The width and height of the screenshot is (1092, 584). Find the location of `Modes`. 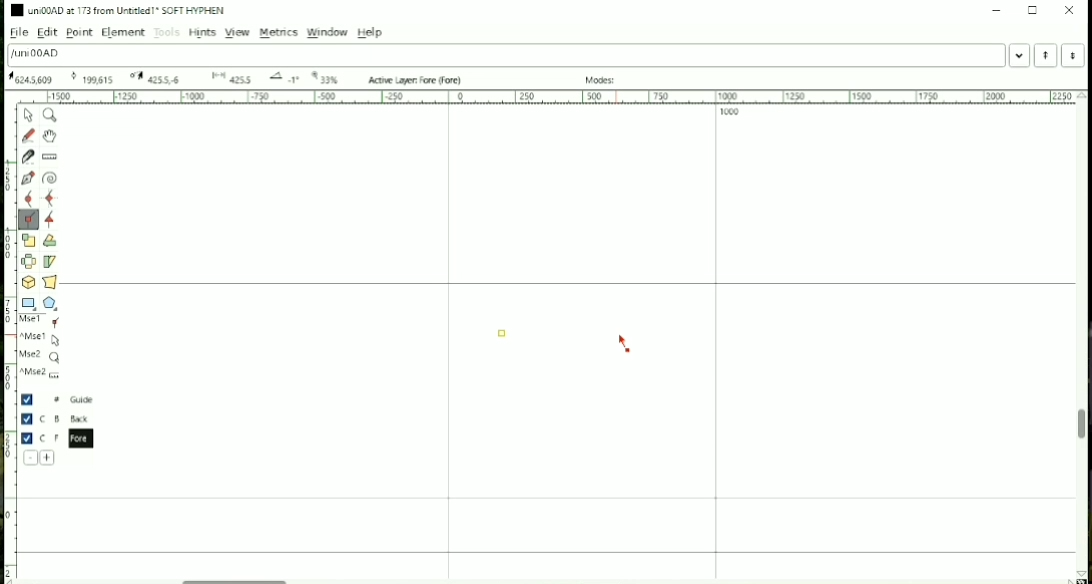

Modes is located at coordinates (603, 80).